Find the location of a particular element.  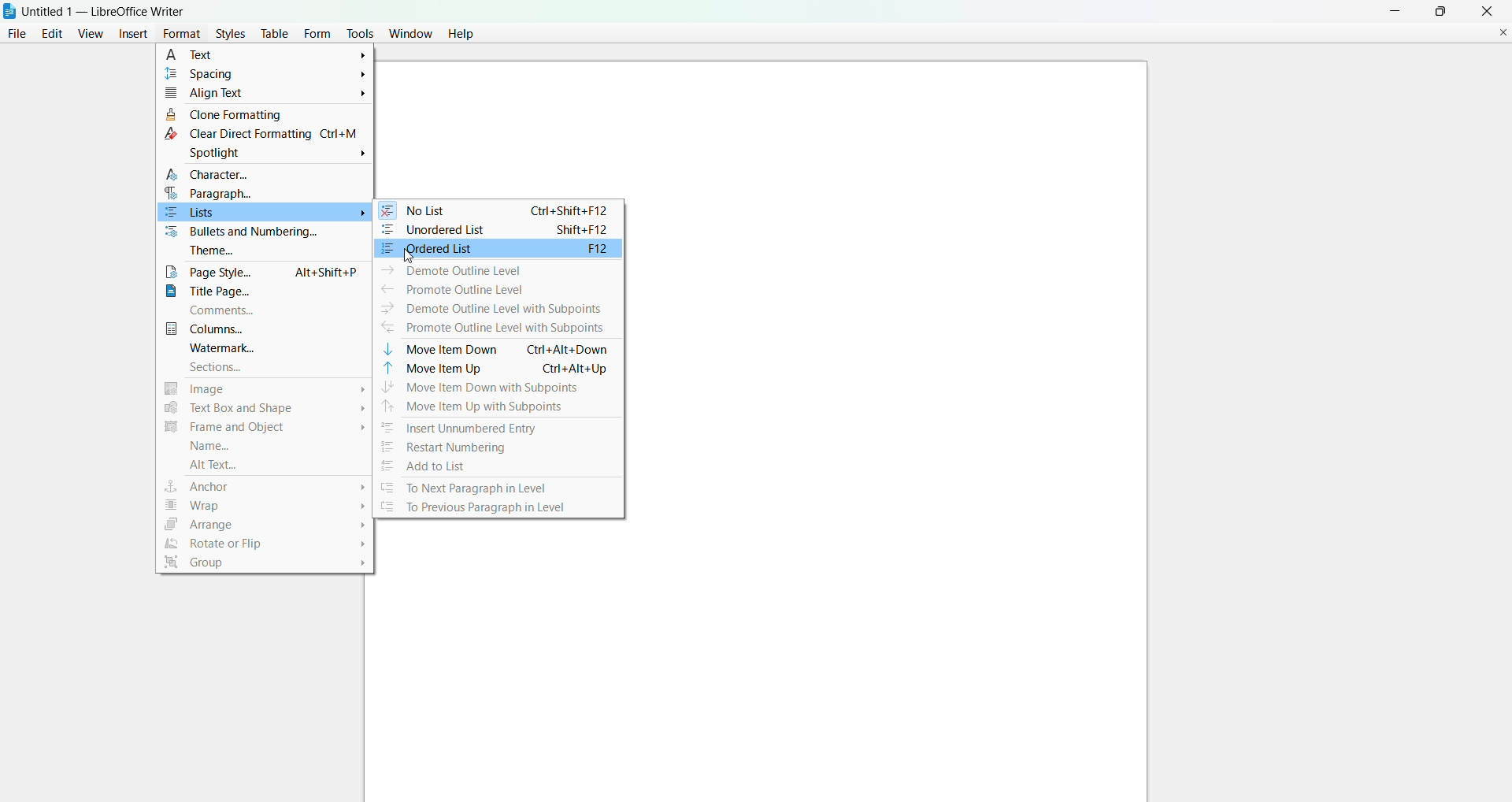

character is located at coordinates (209, 175).